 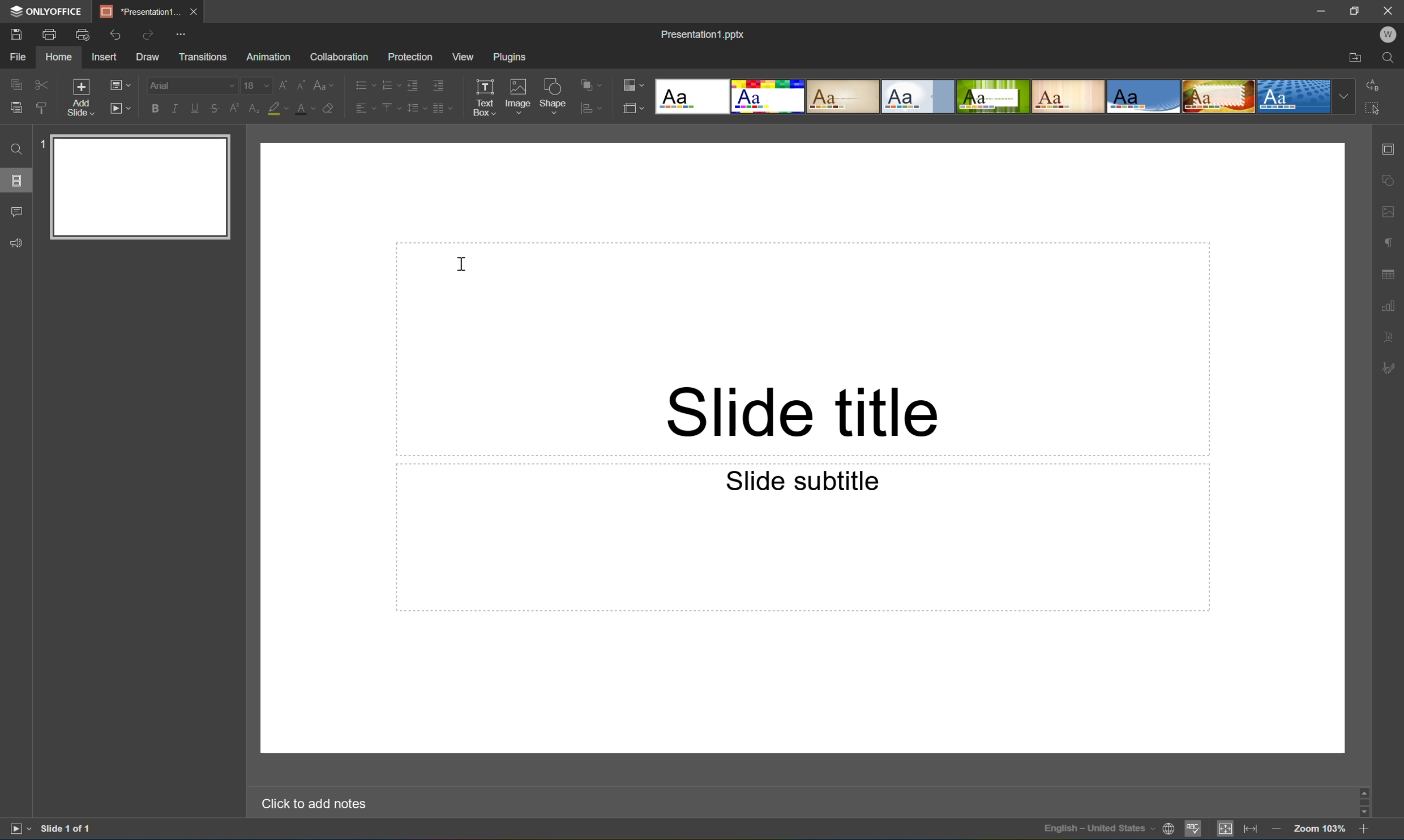 I want to click on Fit to slide, so click(x=1227, y=828).